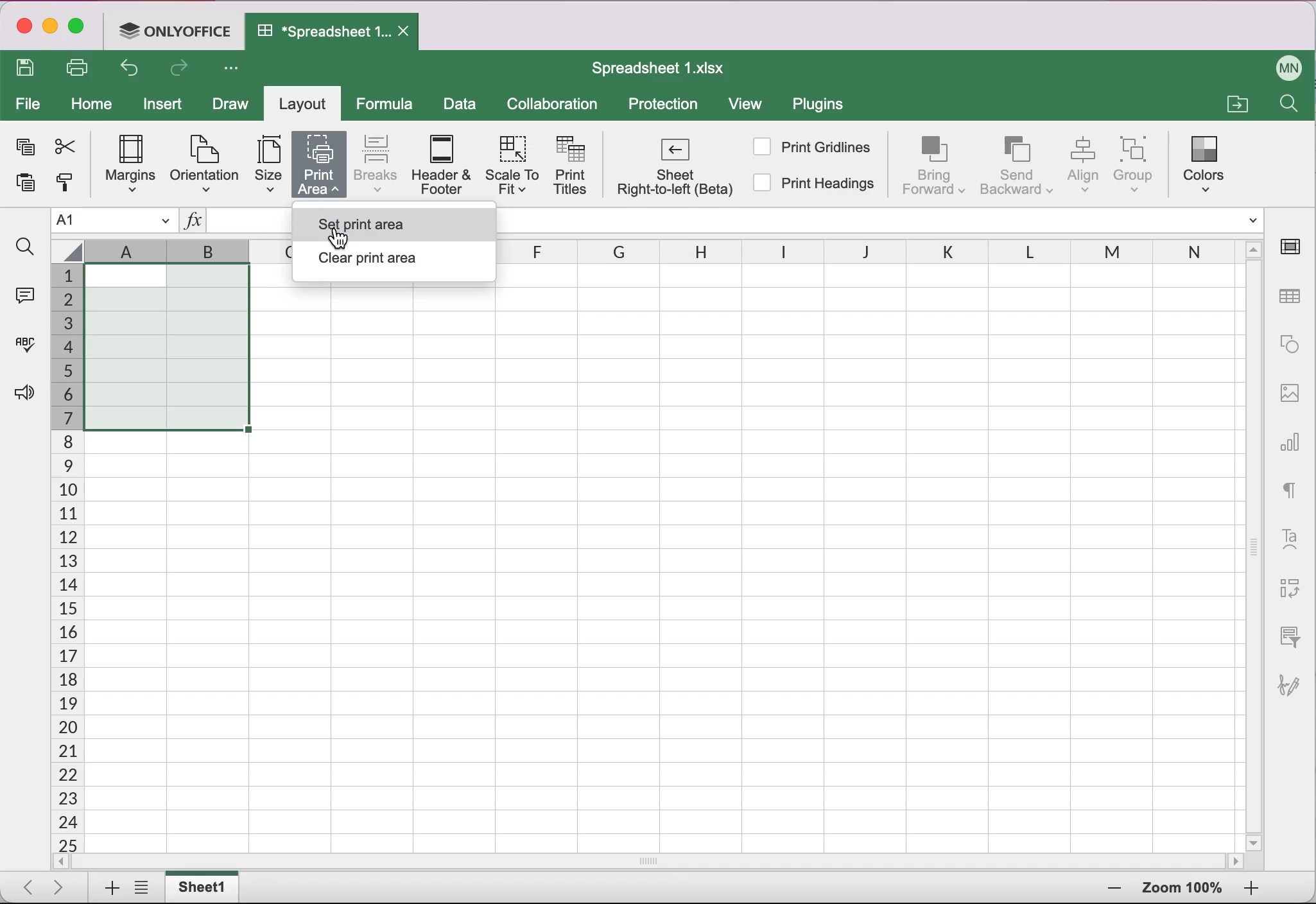  I want to click on Colors, so click(1208, 161).